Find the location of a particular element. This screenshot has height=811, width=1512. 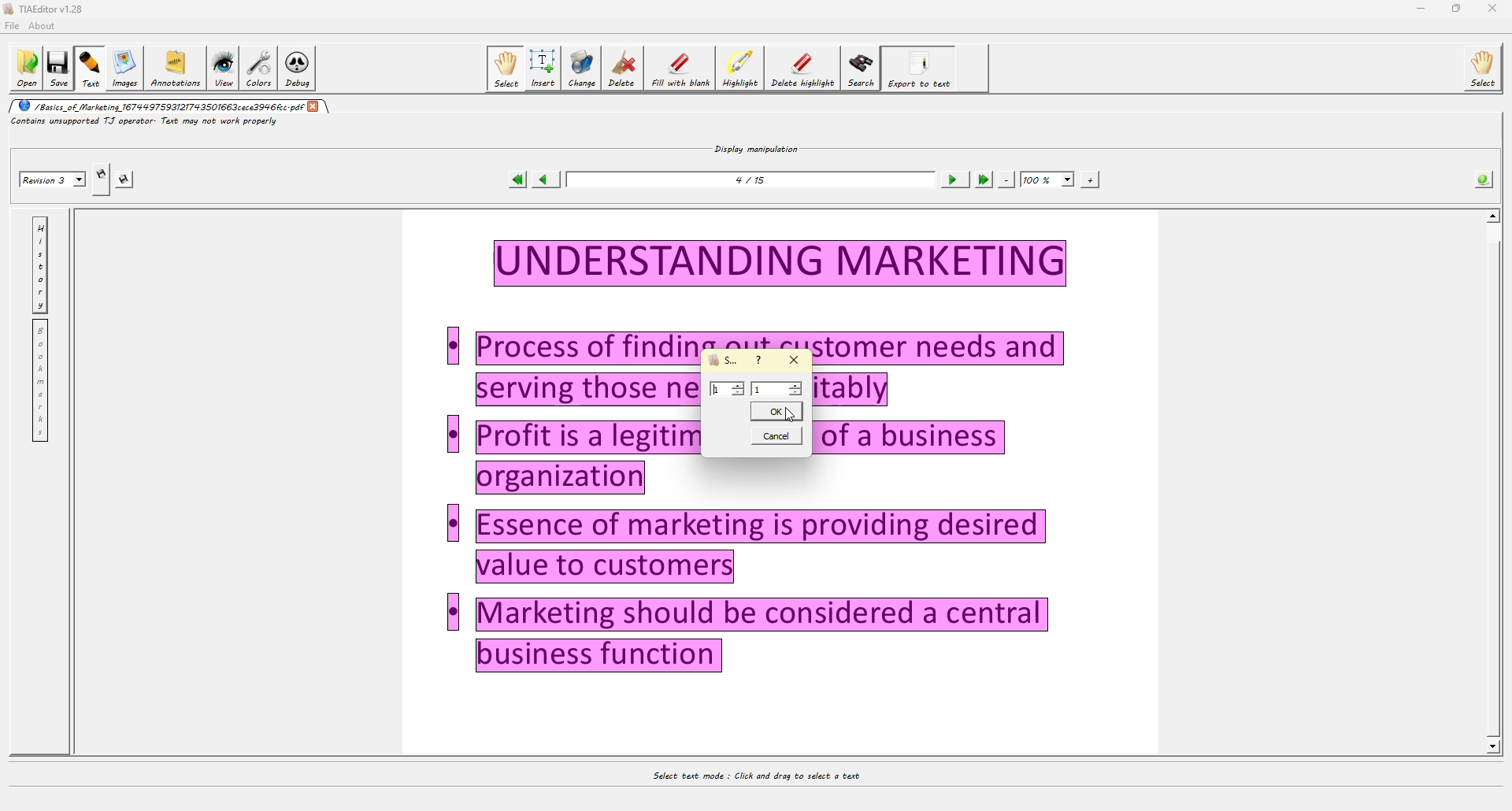

select is located at coordinates (1480, 67).